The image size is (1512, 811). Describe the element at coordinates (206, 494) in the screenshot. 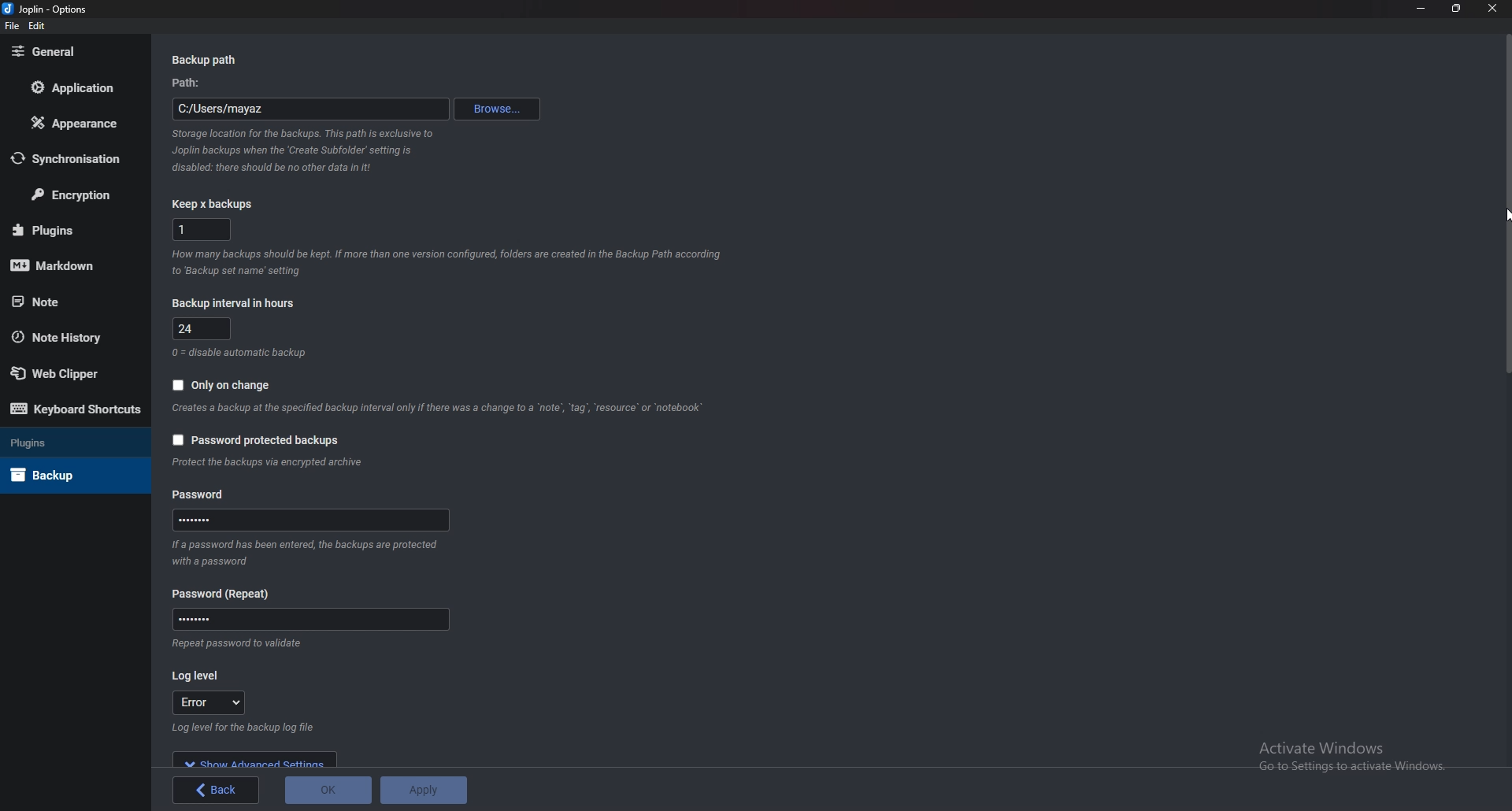

I see `Password` at that location.